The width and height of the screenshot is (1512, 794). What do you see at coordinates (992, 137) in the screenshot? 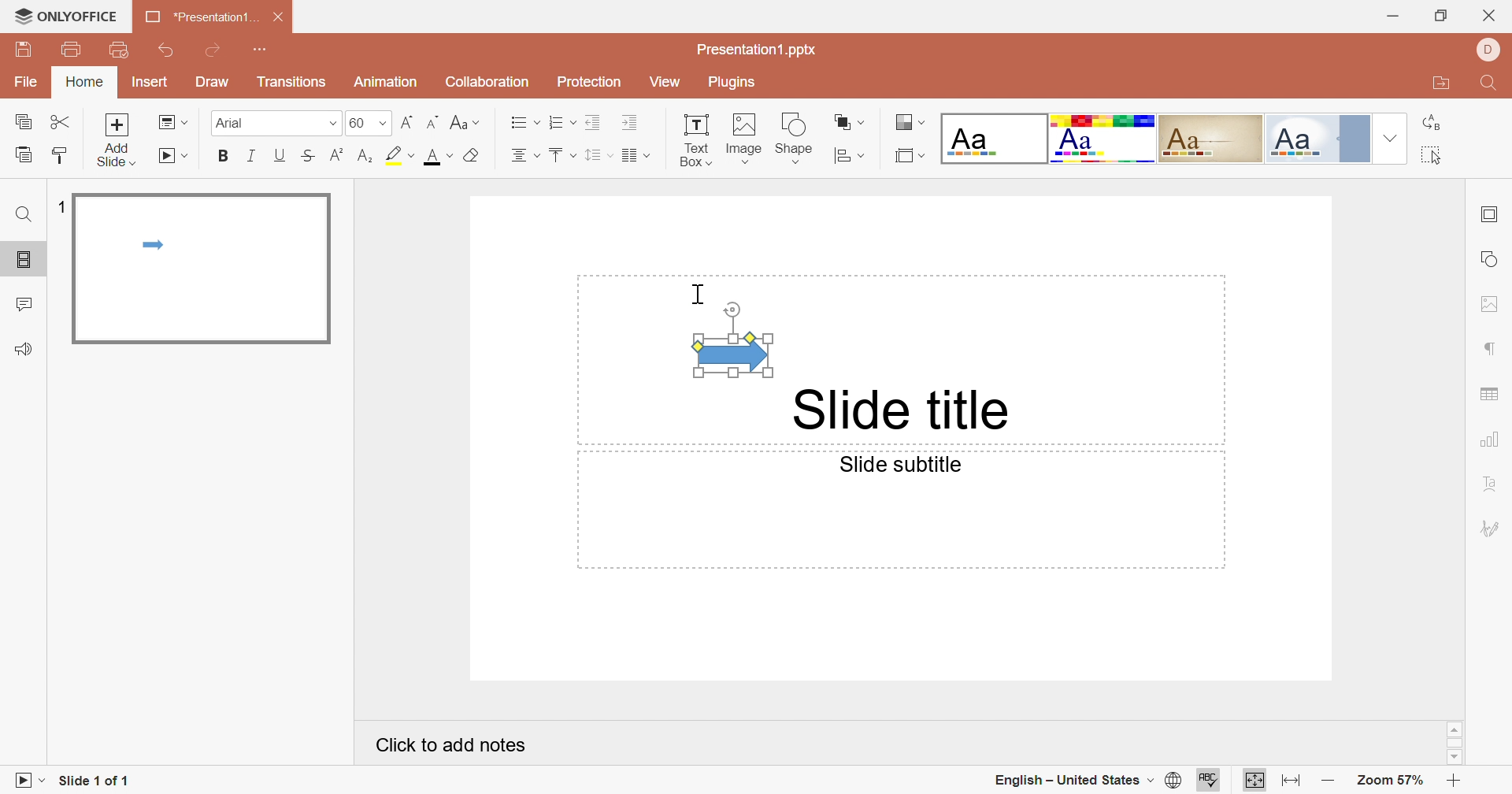
I see `Blank` at bounding box center [992, 137].